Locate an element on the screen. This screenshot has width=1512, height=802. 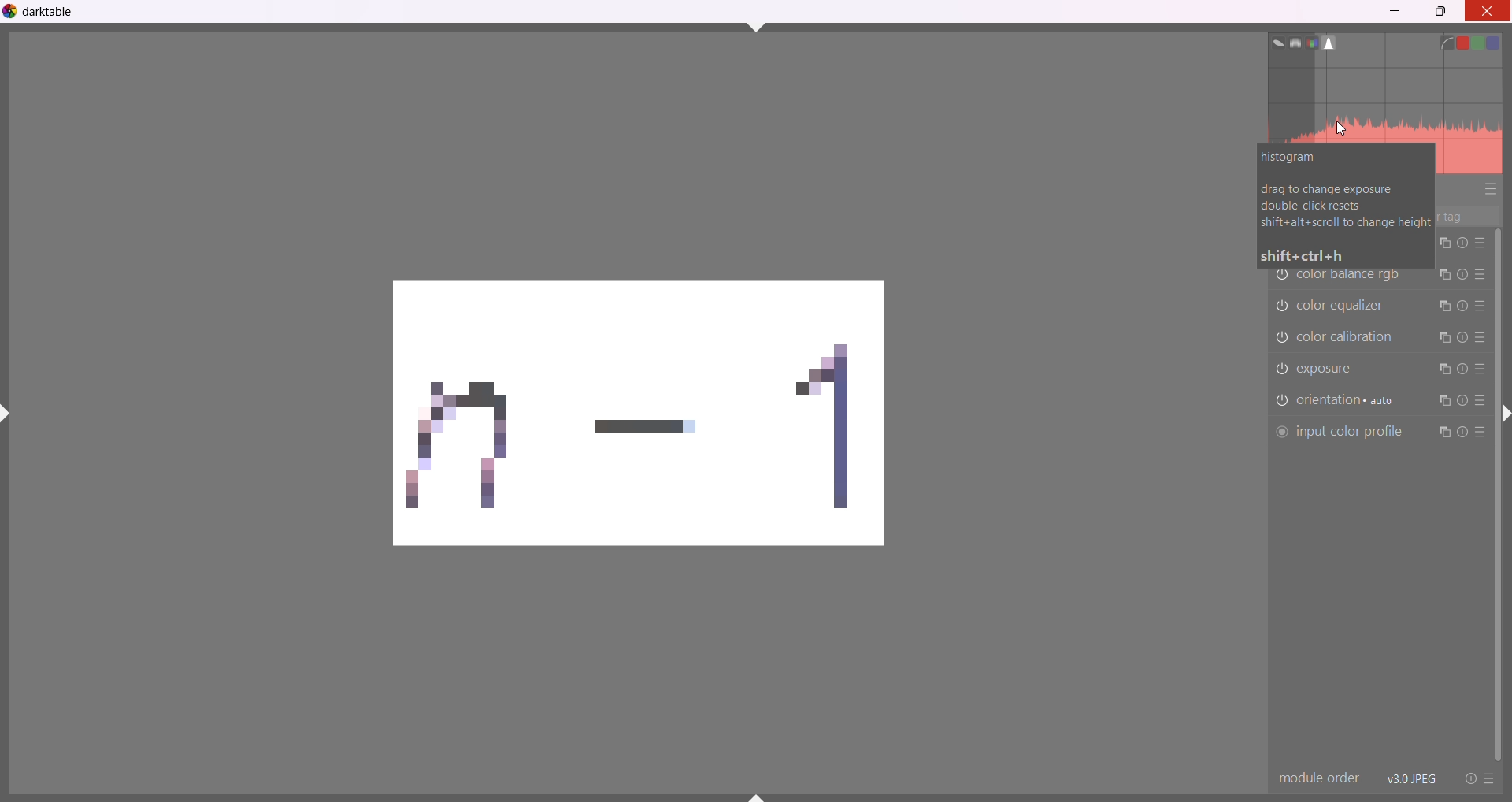
presets is located at coordinates (1480, 401).